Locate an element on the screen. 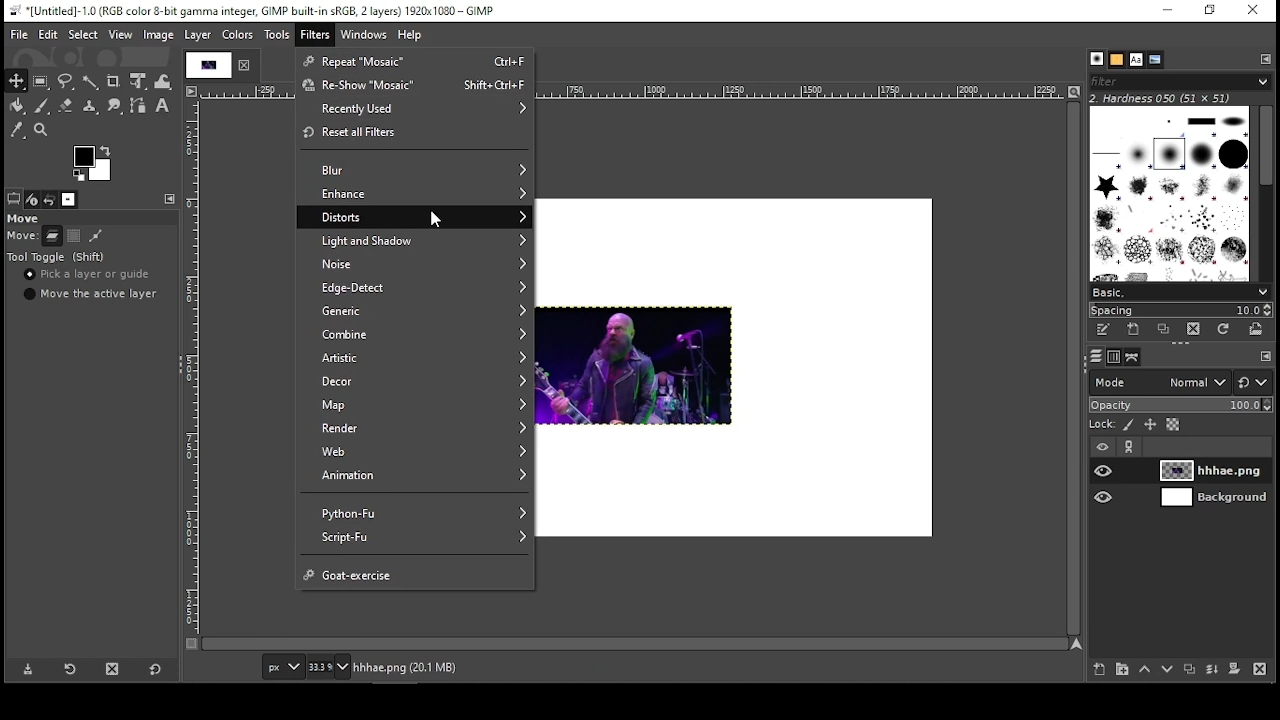  patterns is located at coordinates (1117, 60).